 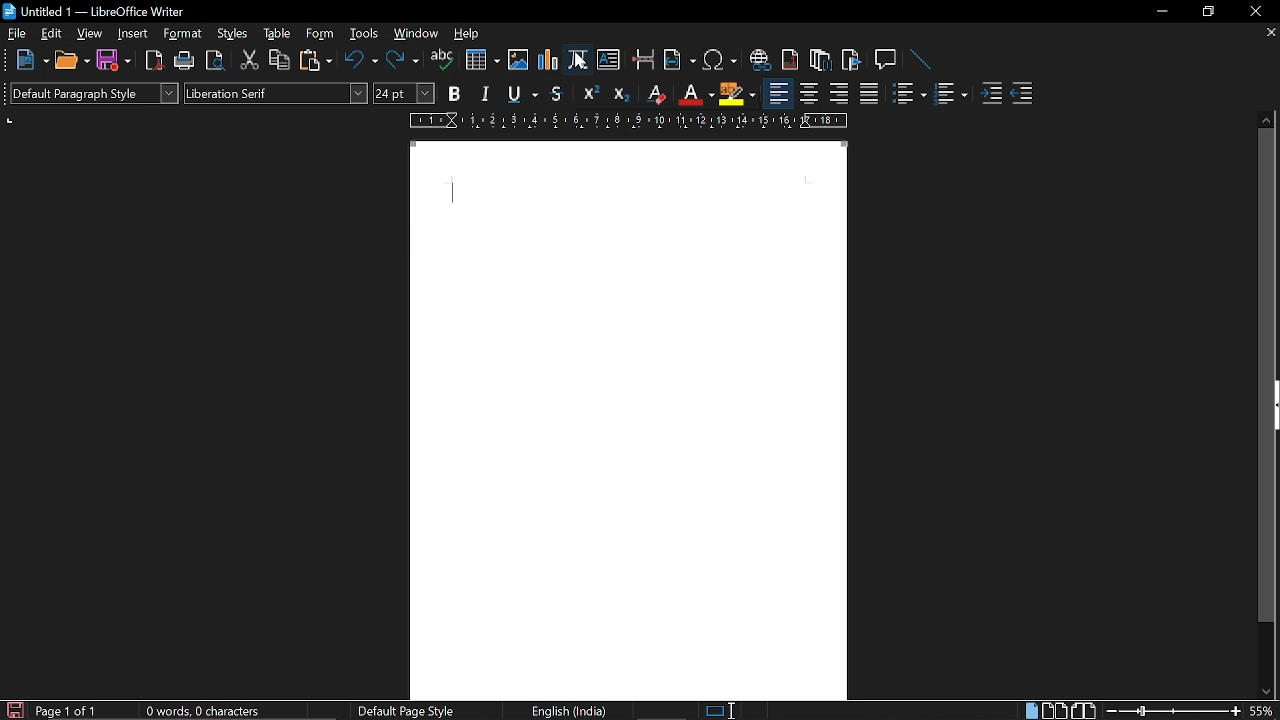 I want to click on view, so click(x=89, y=36).